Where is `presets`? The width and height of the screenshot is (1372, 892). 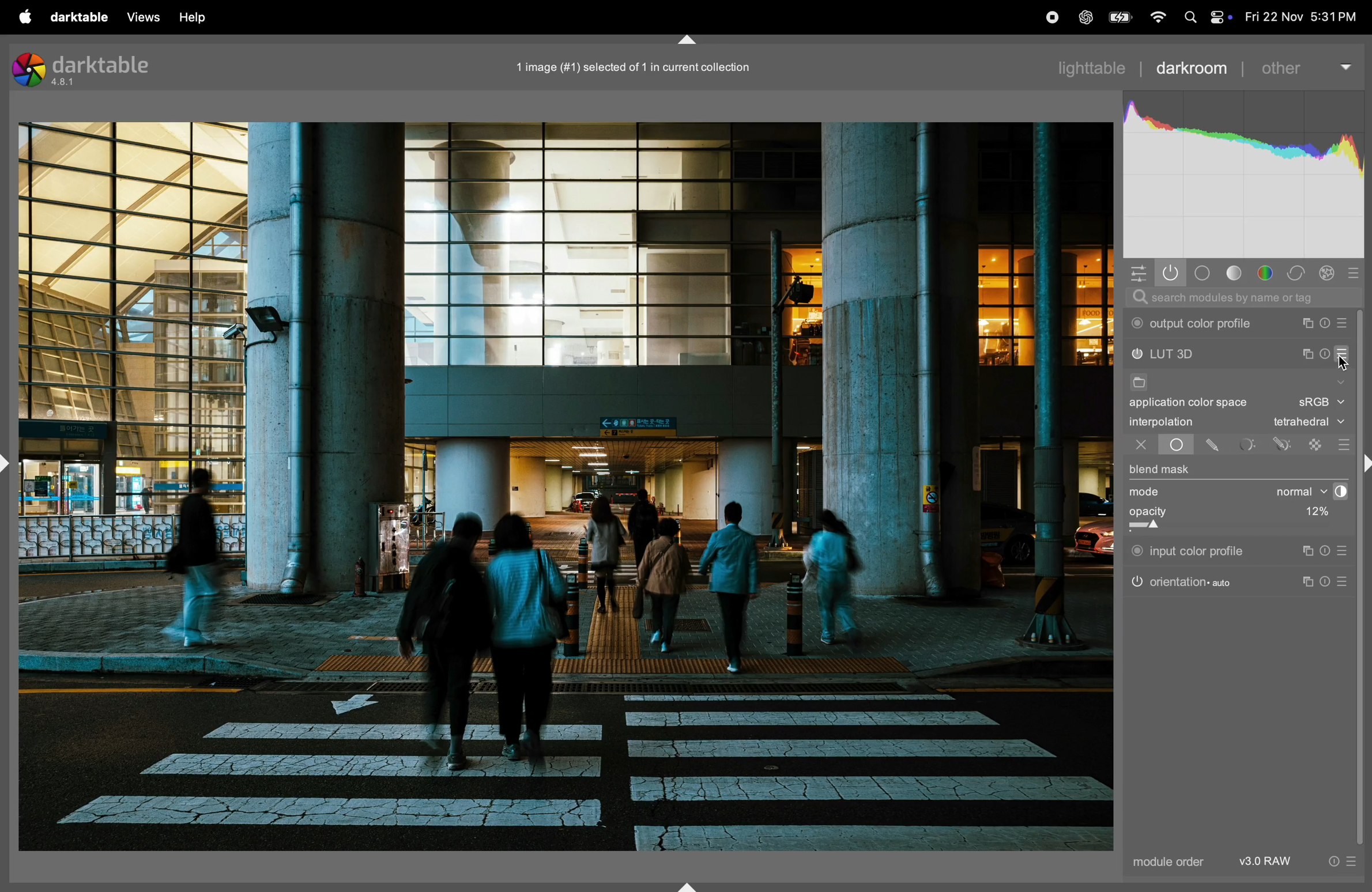
presets is located at coordinates (1346, 582).